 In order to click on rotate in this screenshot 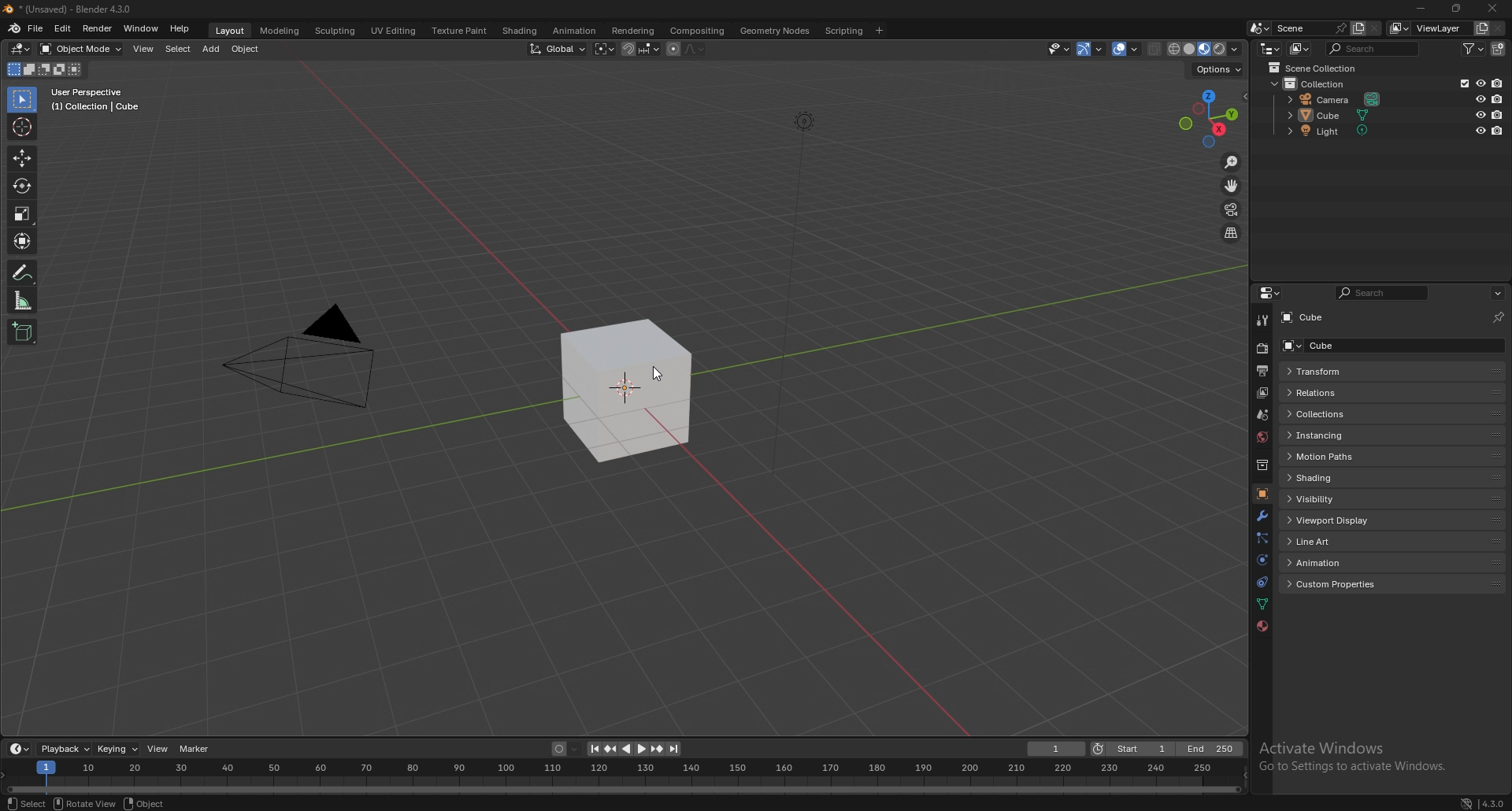, I will do `click(21, 186)`.